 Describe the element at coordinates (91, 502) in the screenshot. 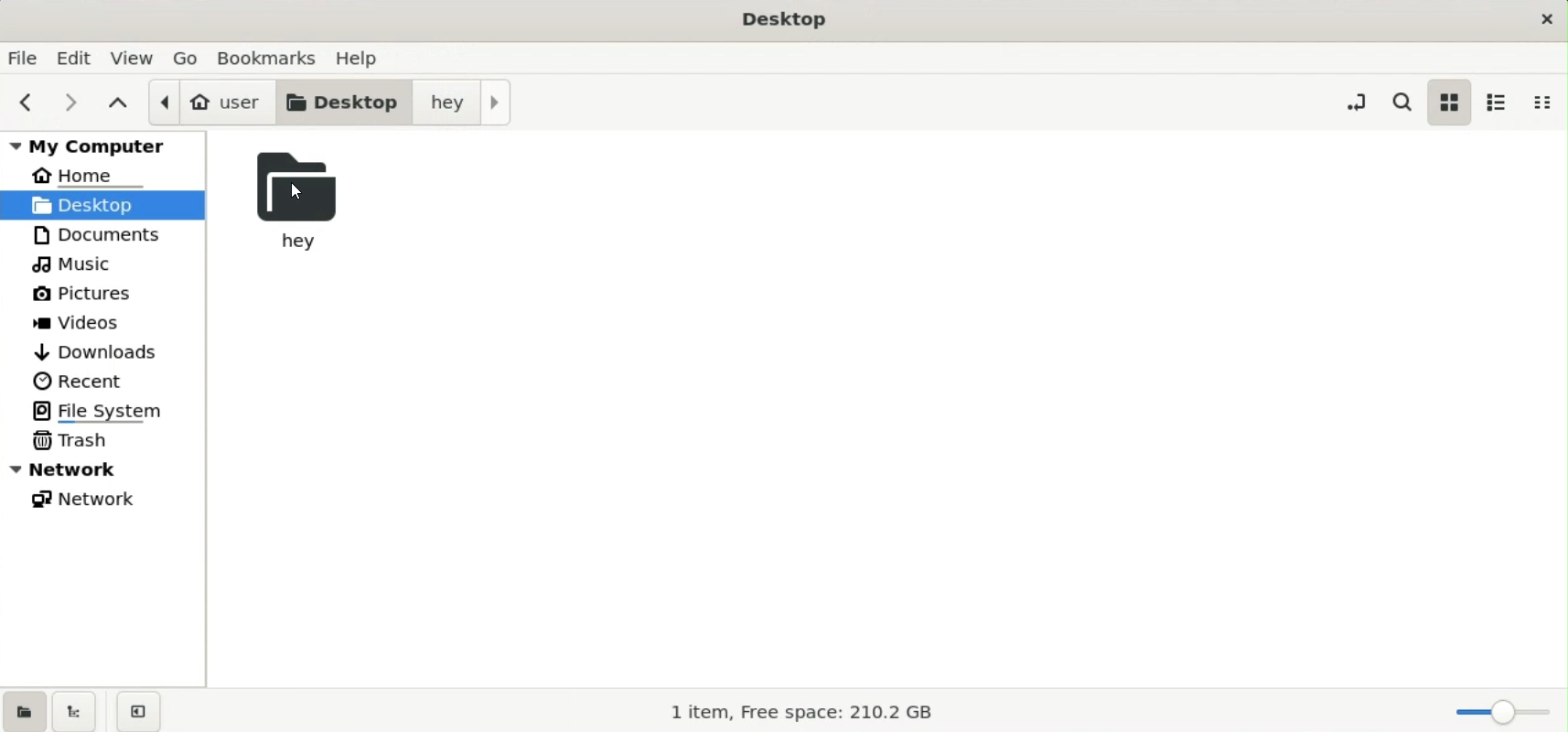

I see `network` at that location.